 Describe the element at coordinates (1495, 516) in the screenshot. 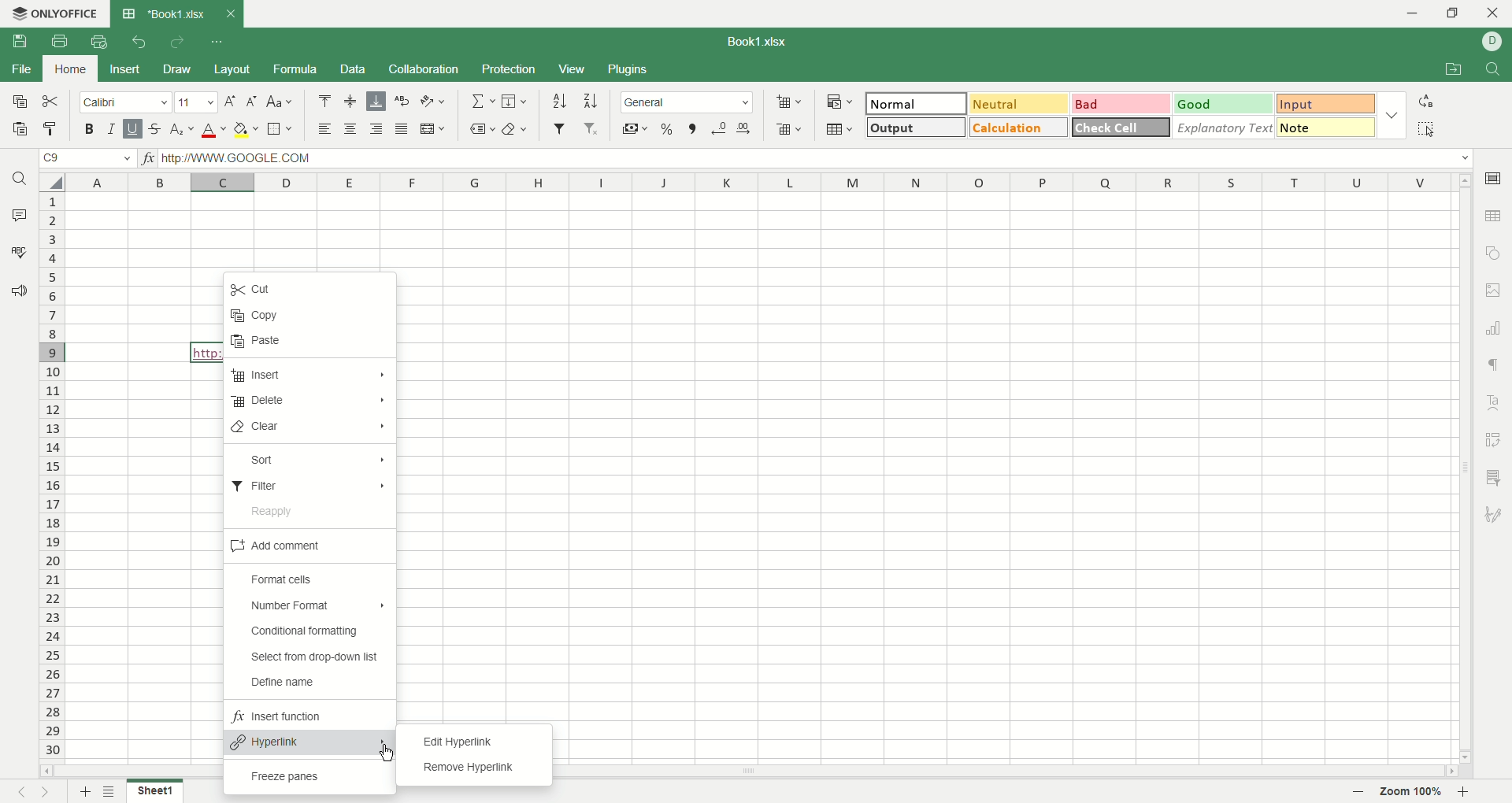

I see `signature settings` at that location.